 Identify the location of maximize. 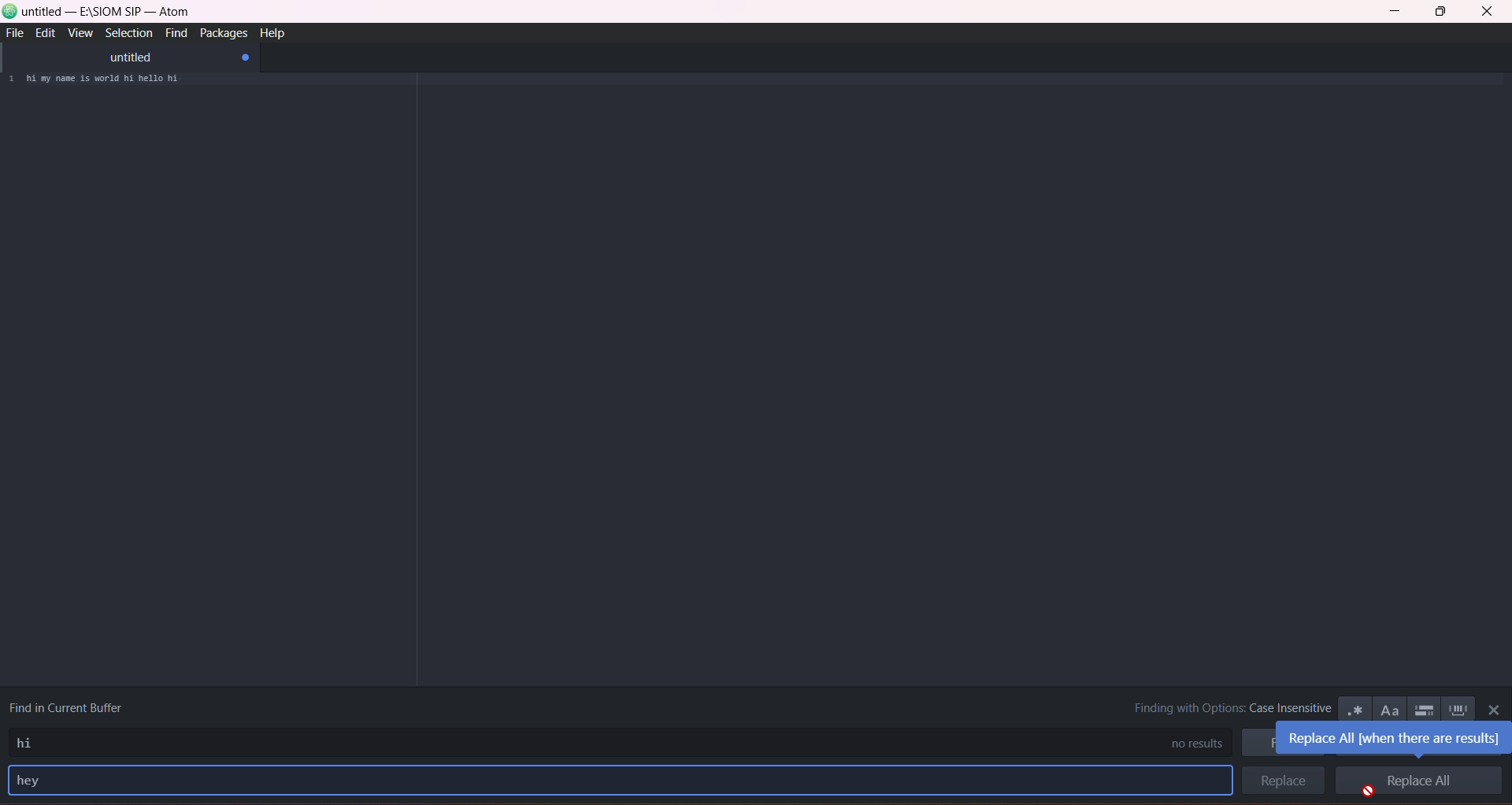
(1441, 13).